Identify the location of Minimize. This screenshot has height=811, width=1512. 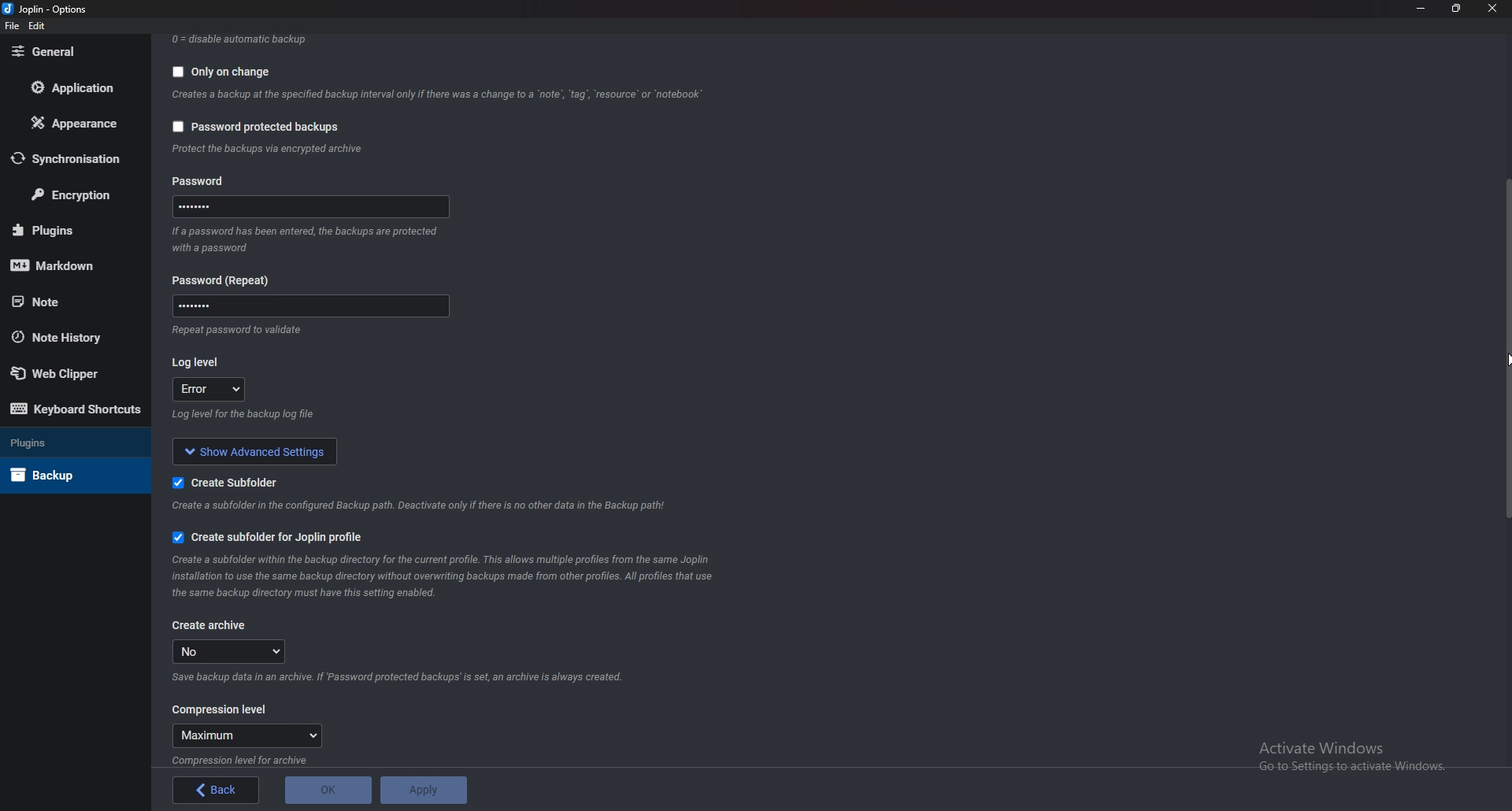
(1423, 8).